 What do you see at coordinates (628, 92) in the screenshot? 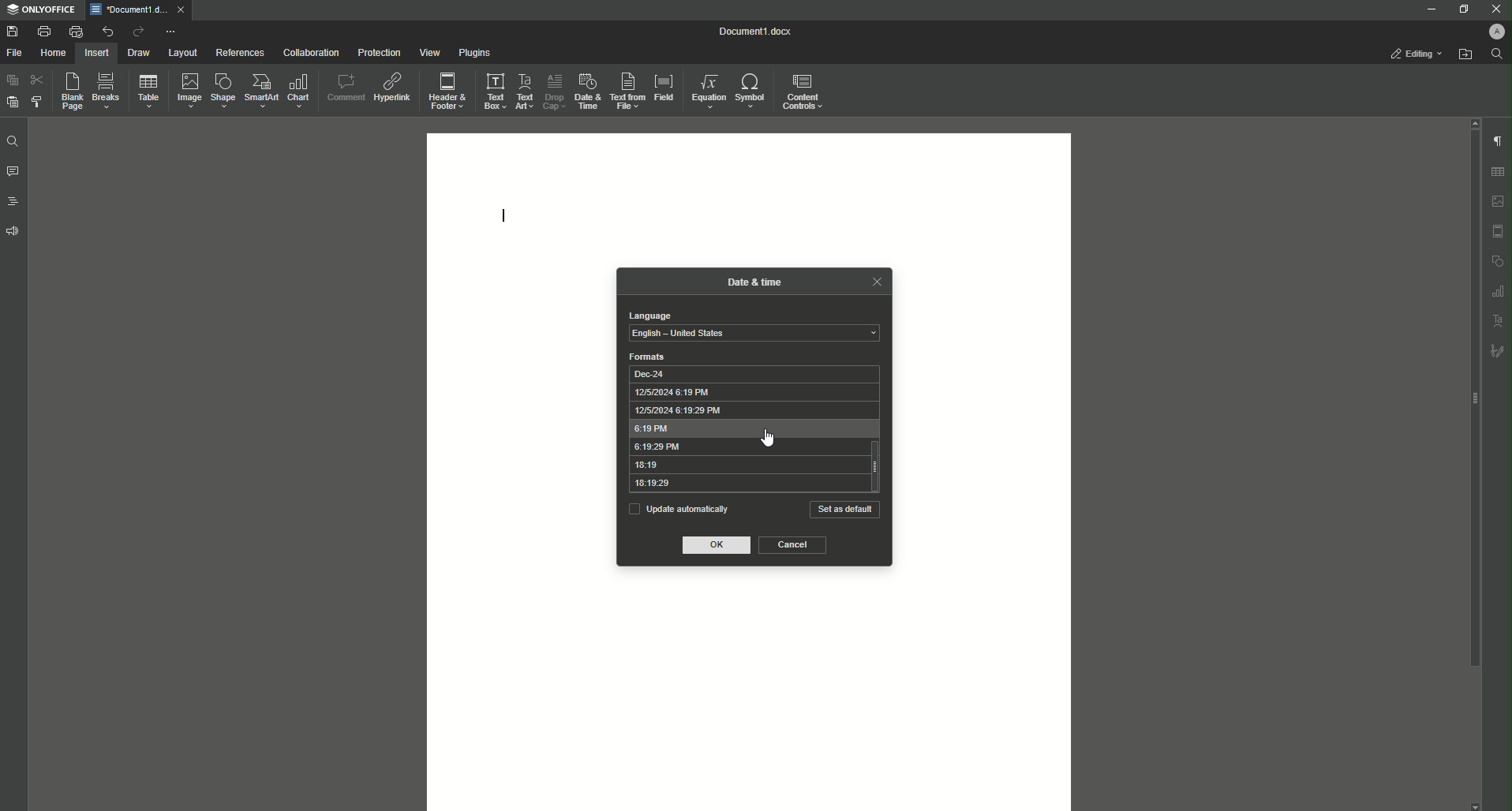
I see `Text From File` at bounding box center [628, 92].